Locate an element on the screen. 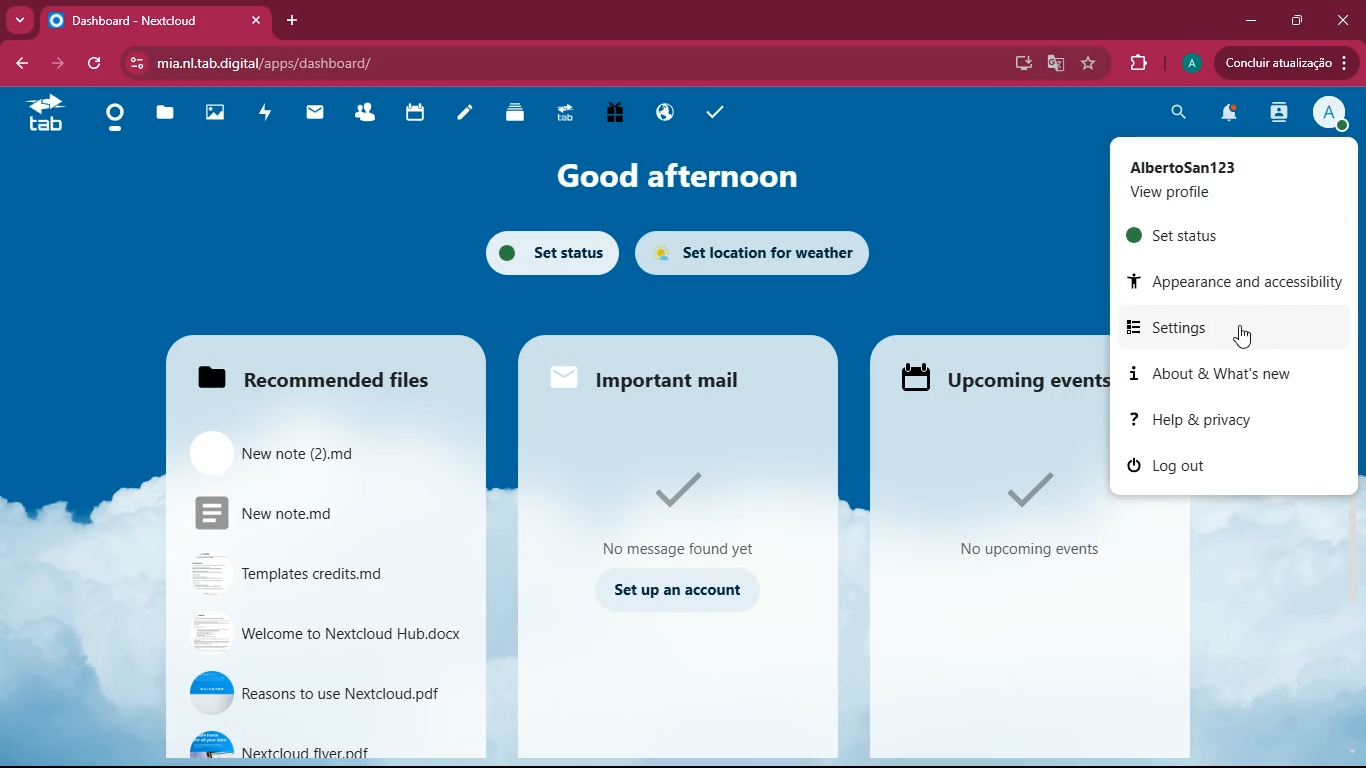  minimize is located at coordinates (1250, 19).